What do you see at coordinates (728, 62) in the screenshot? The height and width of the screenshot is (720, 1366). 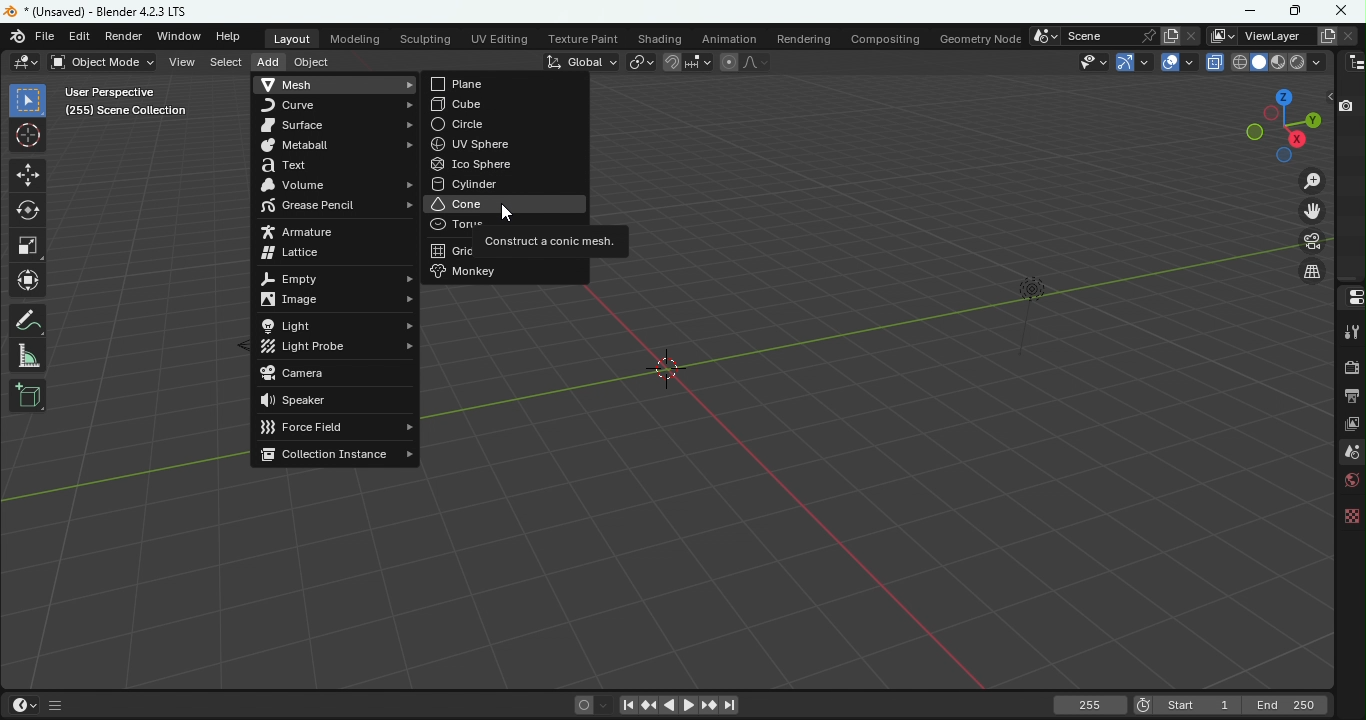 I see `Proportional editing objects` at bounding box center [728, 62].